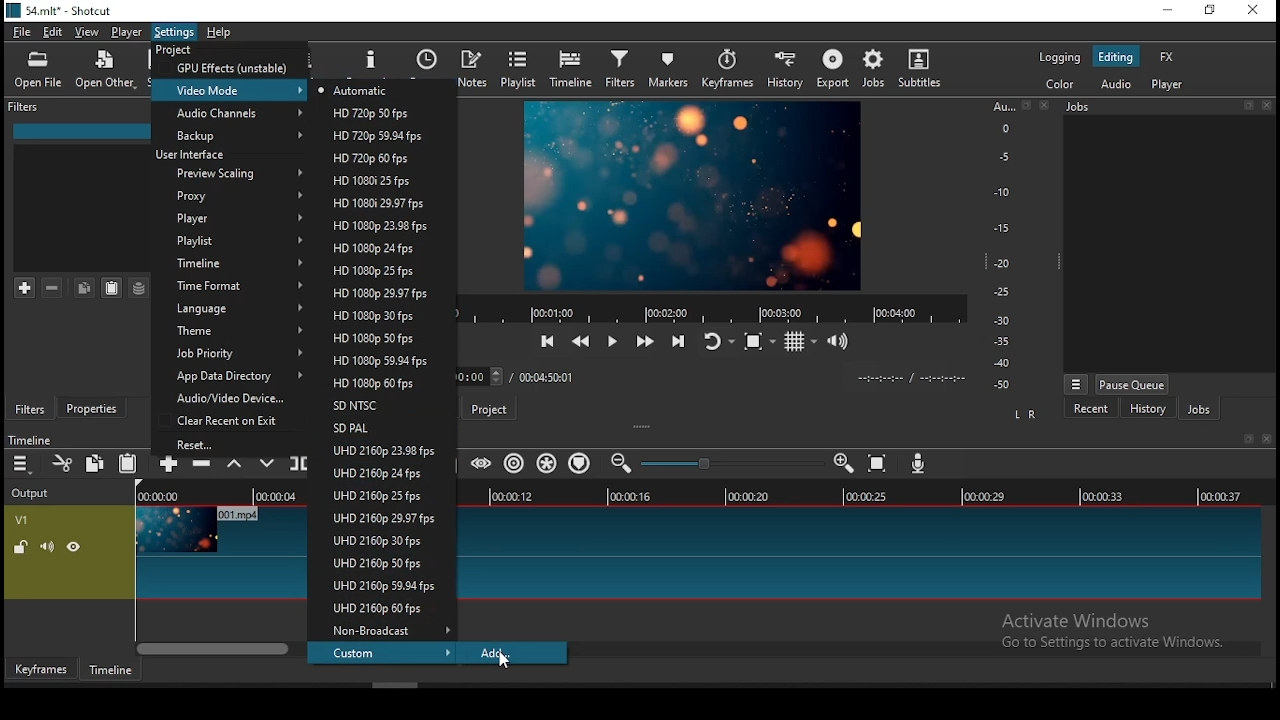 The image size is (1280, 720). I want to click on resolution option, so click(379, 562).